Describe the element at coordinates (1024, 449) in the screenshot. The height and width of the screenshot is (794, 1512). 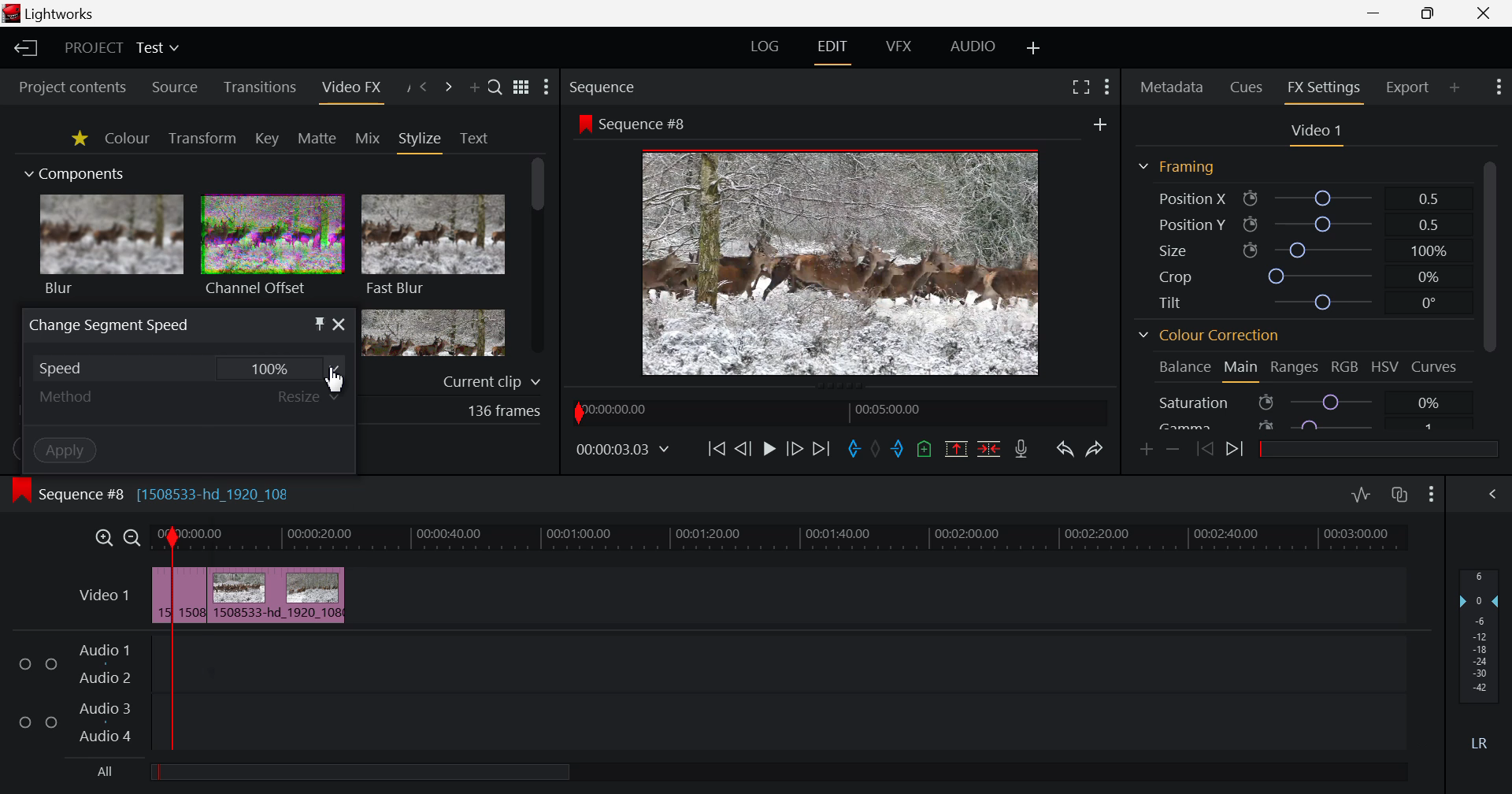
I see `Record Voiceover` at that location.